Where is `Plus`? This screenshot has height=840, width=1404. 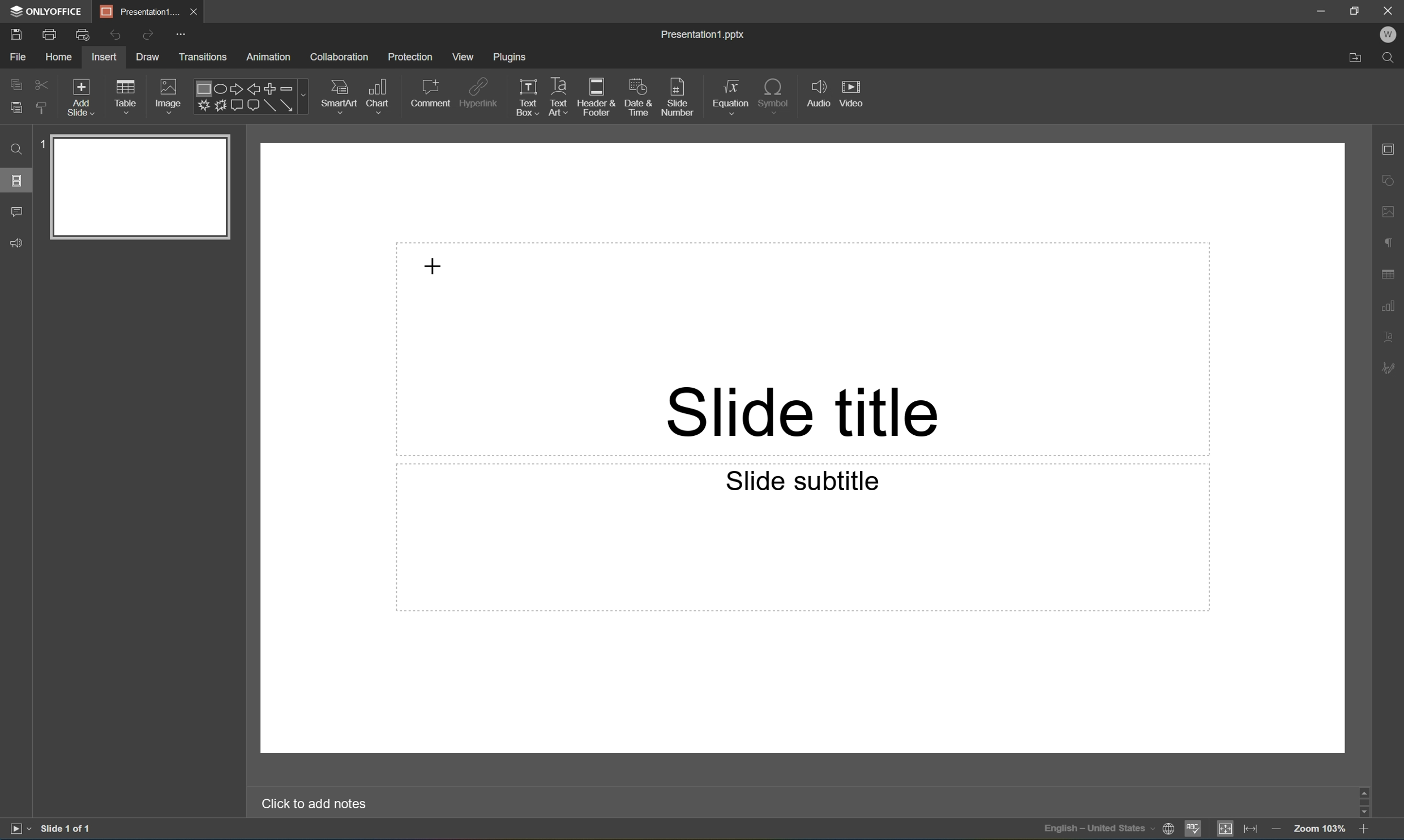 Plus is located at coordinates (271, 88).